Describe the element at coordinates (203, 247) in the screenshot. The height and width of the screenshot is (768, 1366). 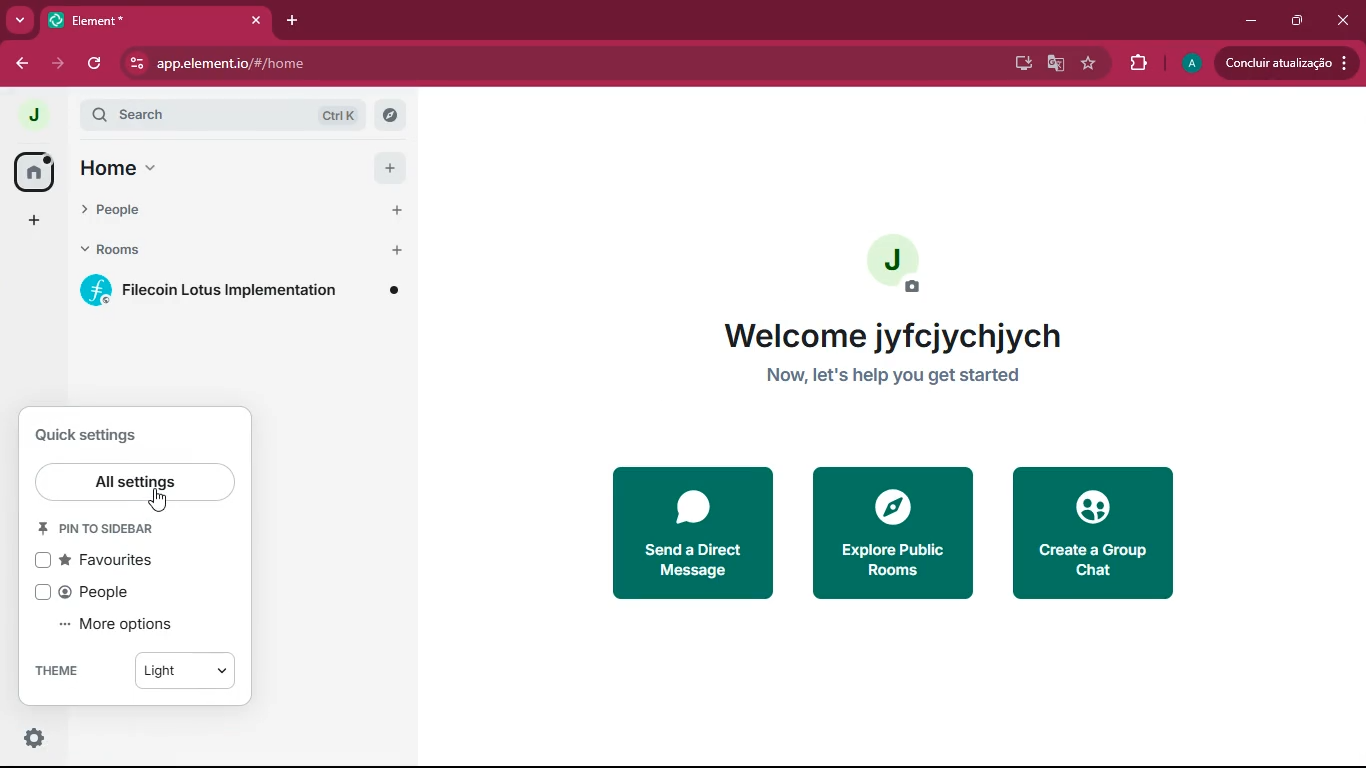
I see `rooms` at that location.